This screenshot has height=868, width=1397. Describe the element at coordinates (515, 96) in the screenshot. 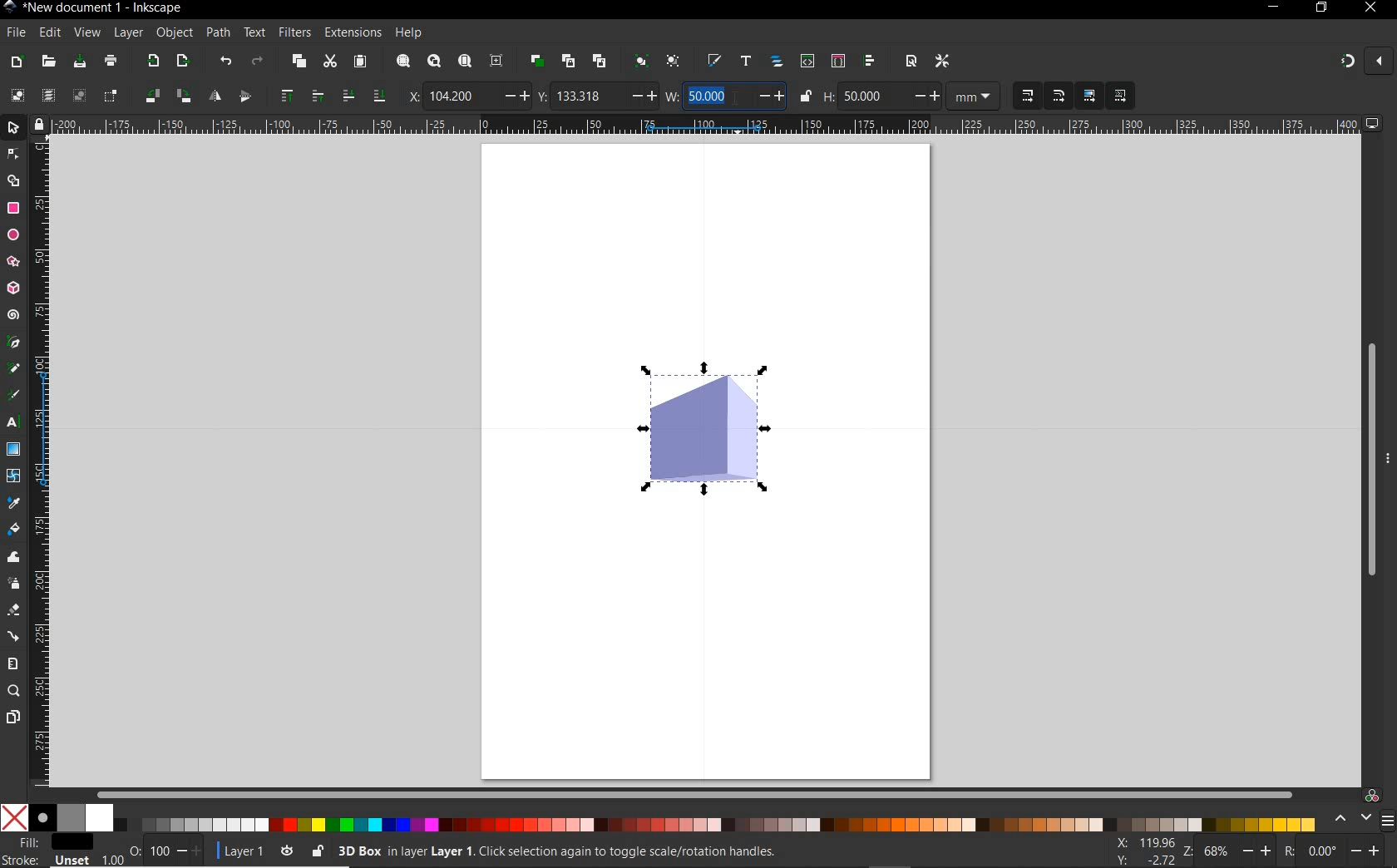

I see `increase/decrease` at that location.